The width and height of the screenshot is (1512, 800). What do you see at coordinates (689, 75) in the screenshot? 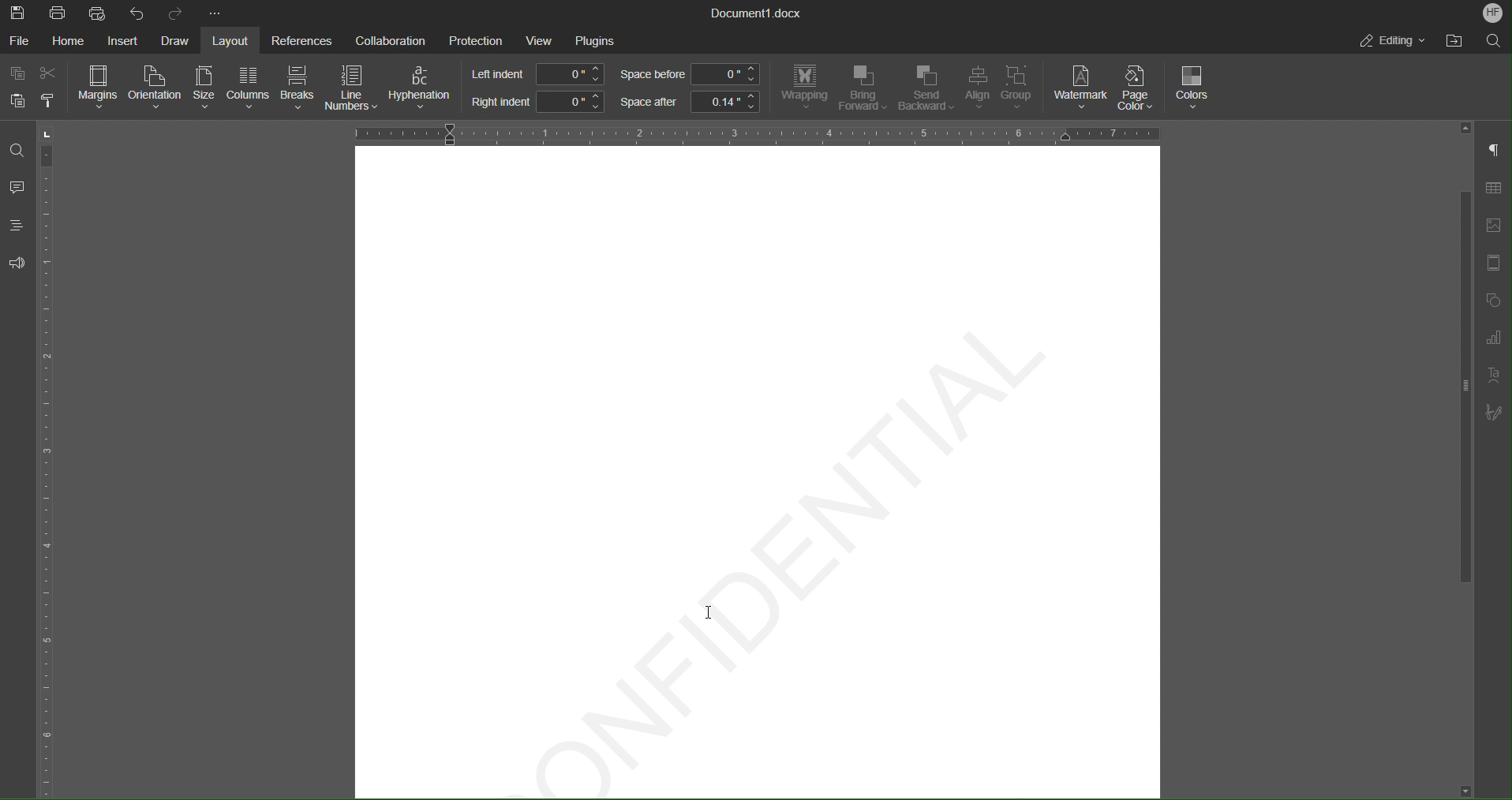
I see `Space before` at bounding box center [689, 75].